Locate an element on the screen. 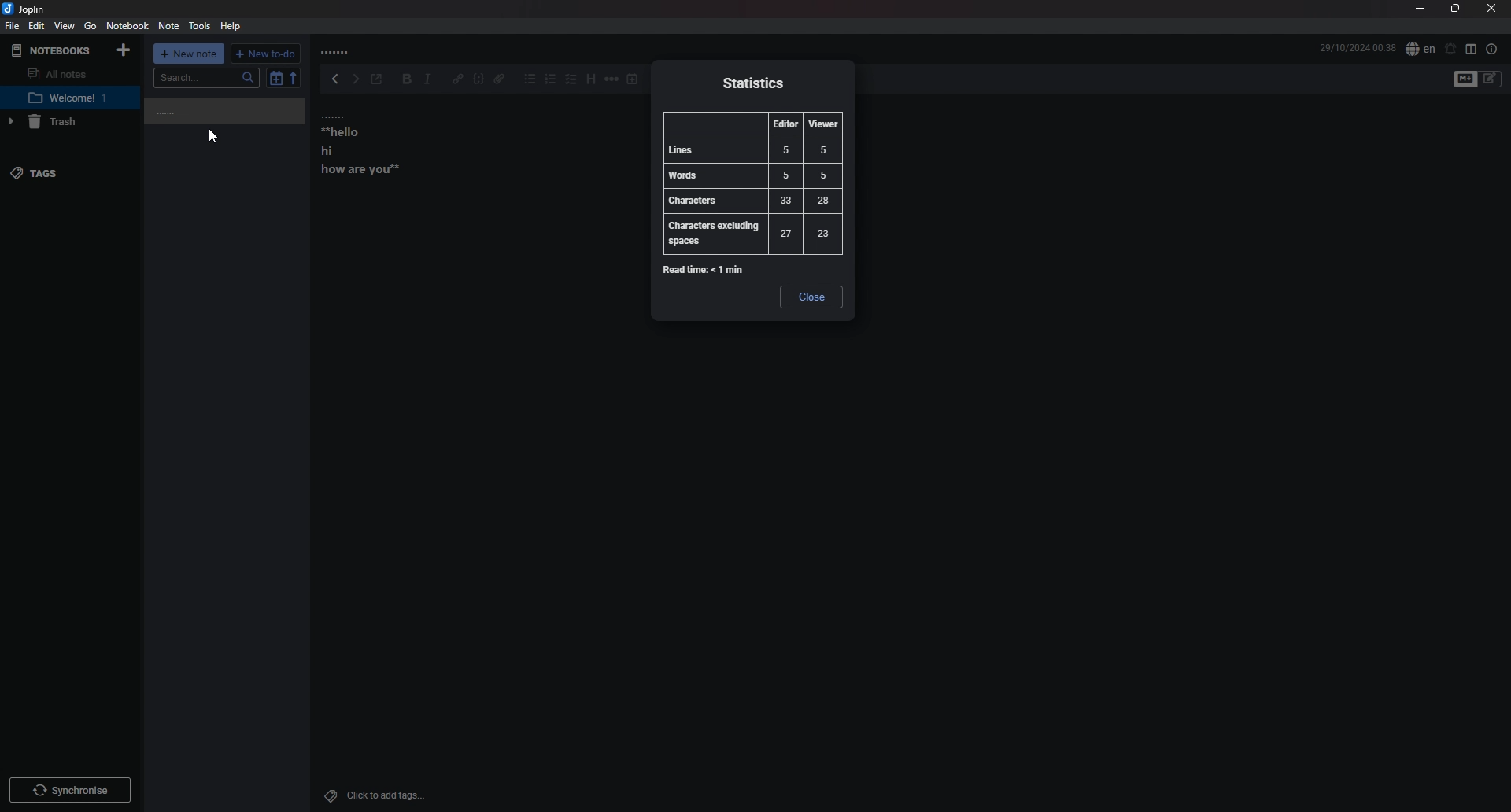 The height and width of the screenshot is (812, 1511). All notes is located at coordinates (62, 72).